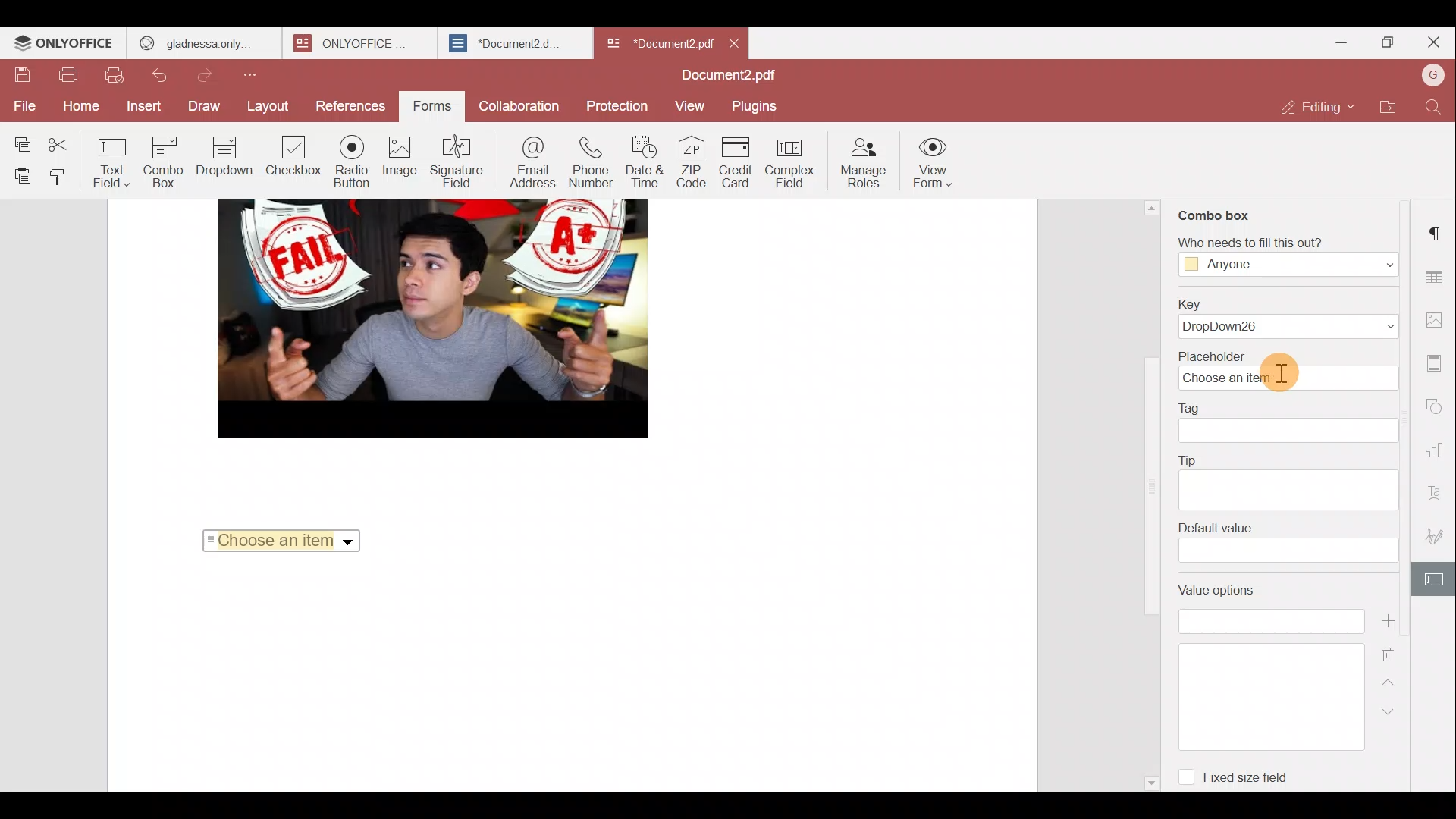 Image resolution: width=1456 pixels, height=819 pixels. What do you see at coordinates (1389, 687) in the screenshot?
I see `Up` at bounding box center [1389, 687].